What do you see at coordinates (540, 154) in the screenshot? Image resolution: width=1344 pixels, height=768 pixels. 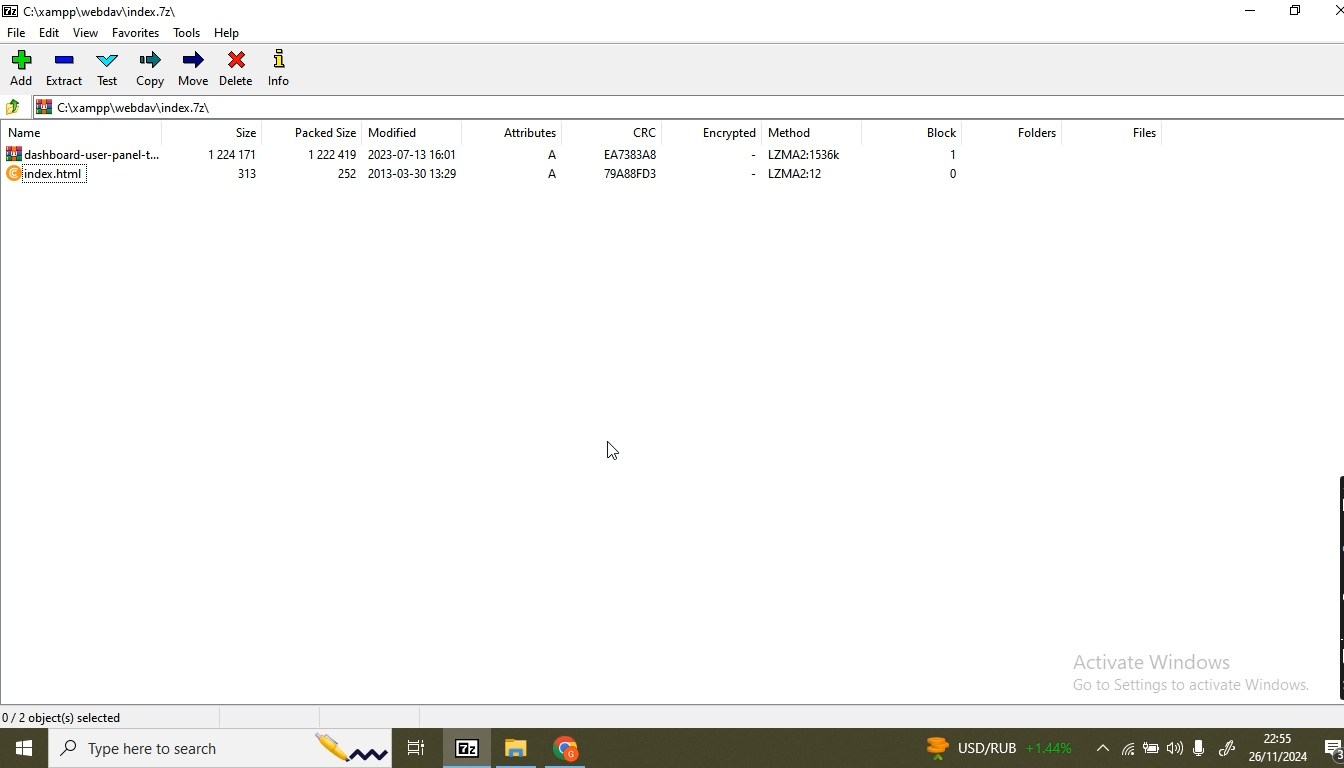 I see `a` at bounding box center [540, 154].